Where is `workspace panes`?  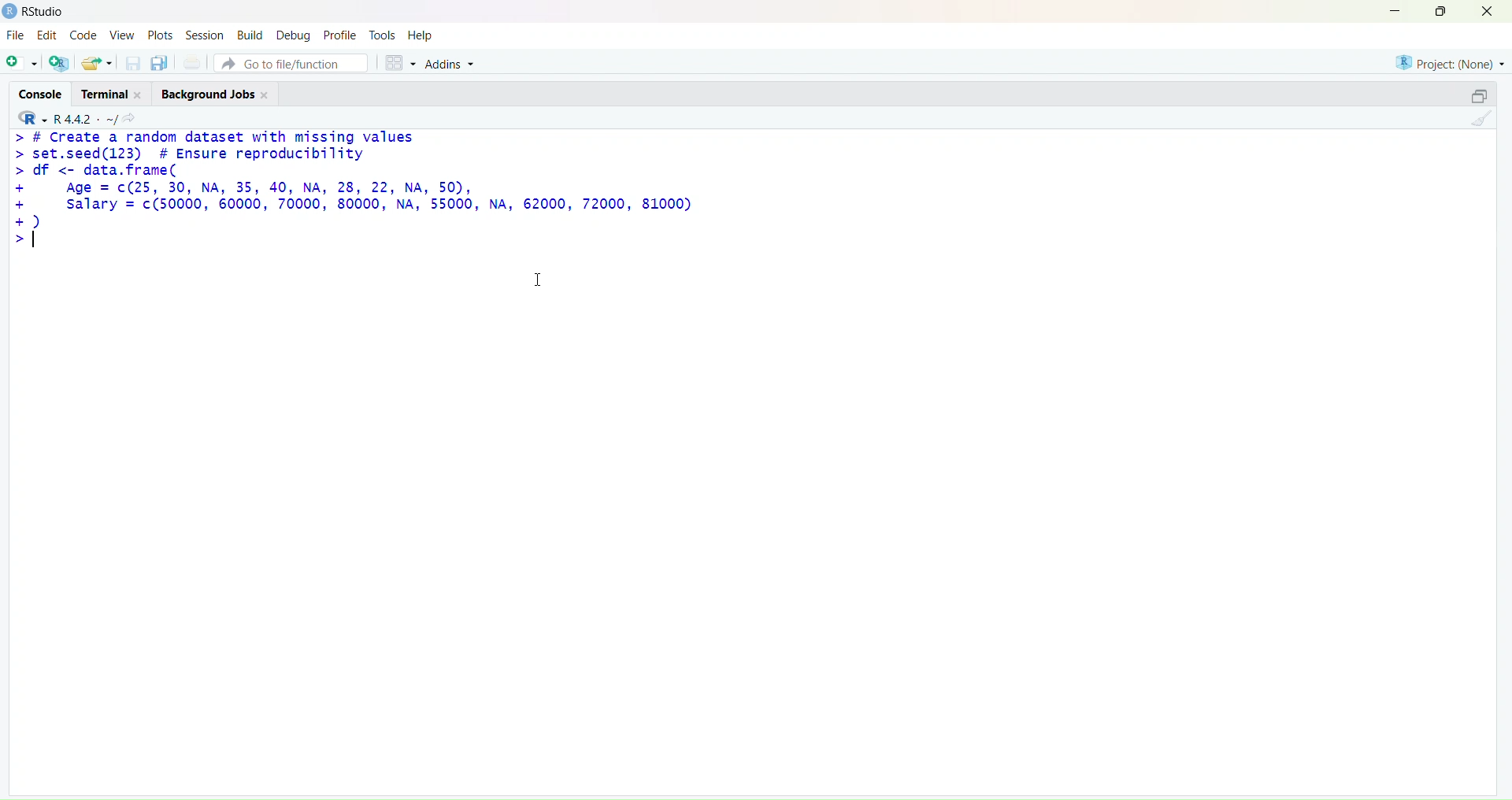
workspace panes is located at coordinates (401, 65).